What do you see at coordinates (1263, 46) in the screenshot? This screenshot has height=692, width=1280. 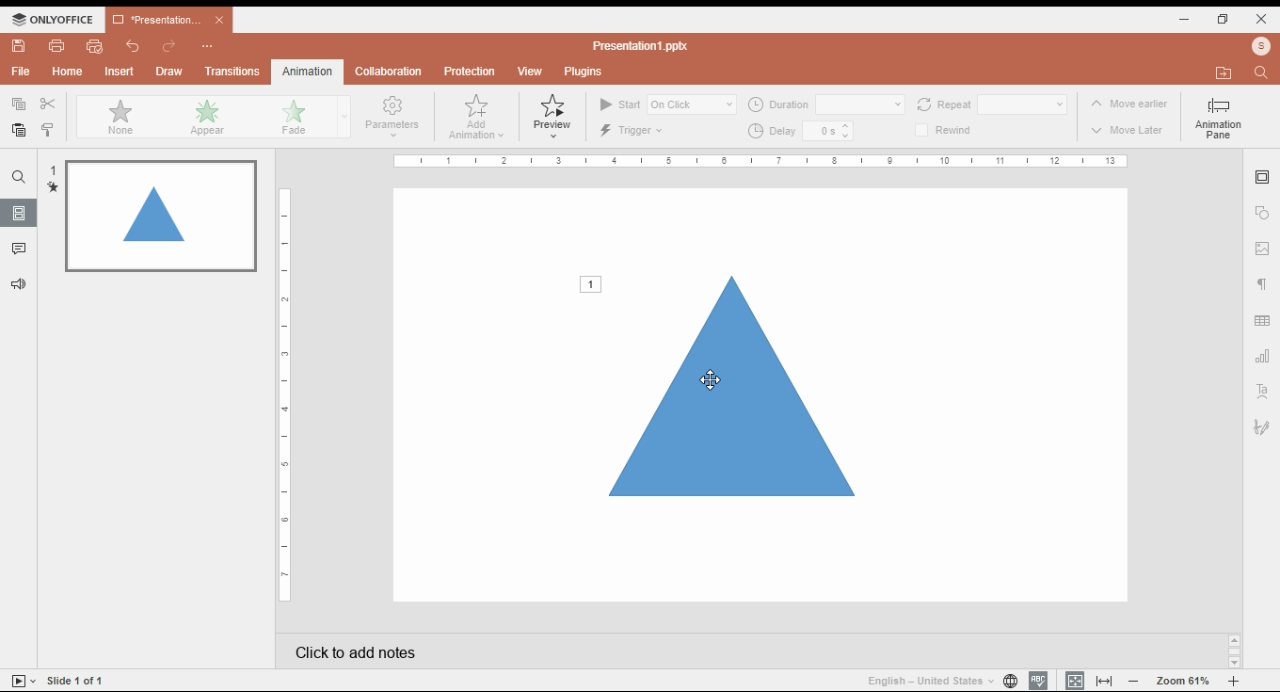 I see `profile` at bounding box center [1263, 46].